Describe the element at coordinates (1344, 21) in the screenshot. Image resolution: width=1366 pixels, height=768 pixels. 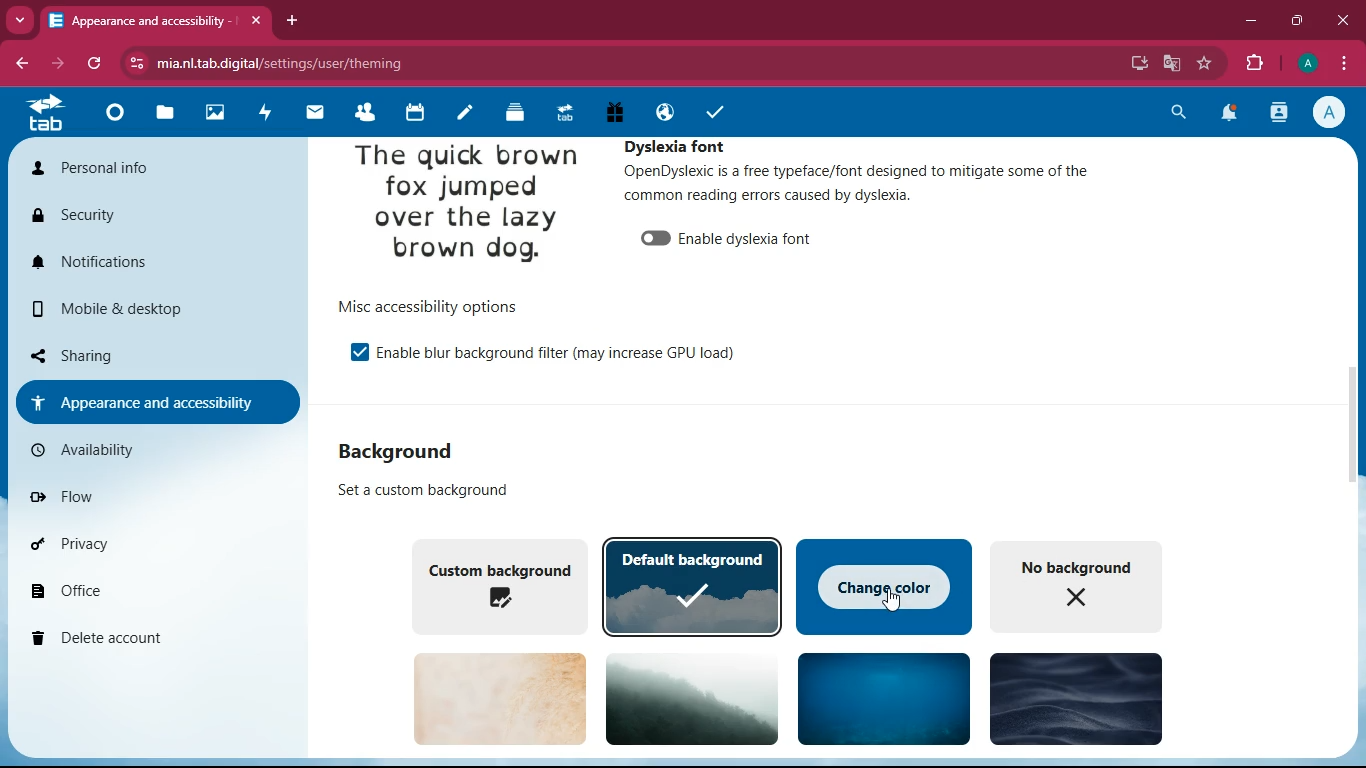
I see `close` at that location.